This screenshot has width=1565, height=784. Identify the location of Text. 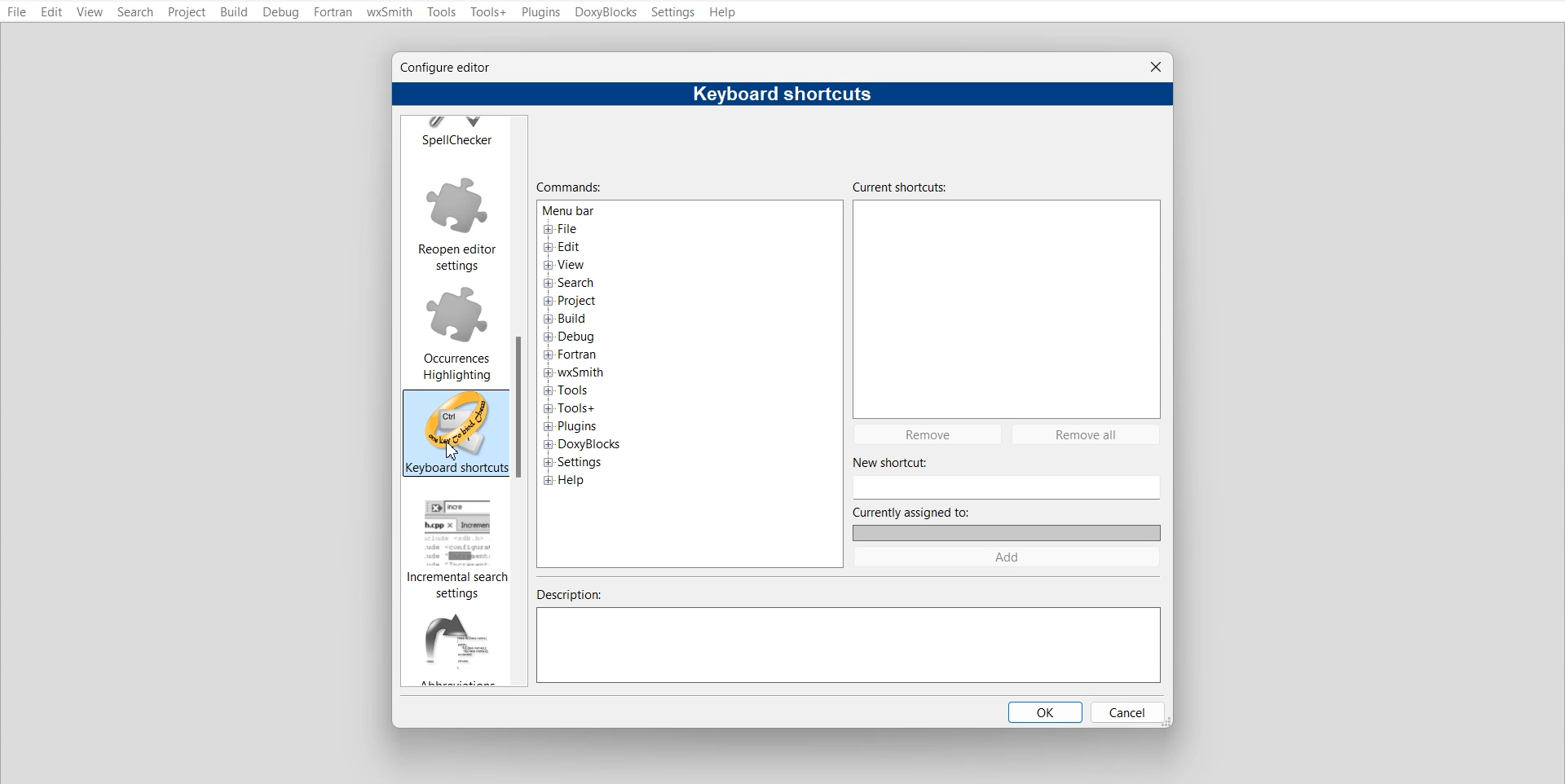
(568, 187).